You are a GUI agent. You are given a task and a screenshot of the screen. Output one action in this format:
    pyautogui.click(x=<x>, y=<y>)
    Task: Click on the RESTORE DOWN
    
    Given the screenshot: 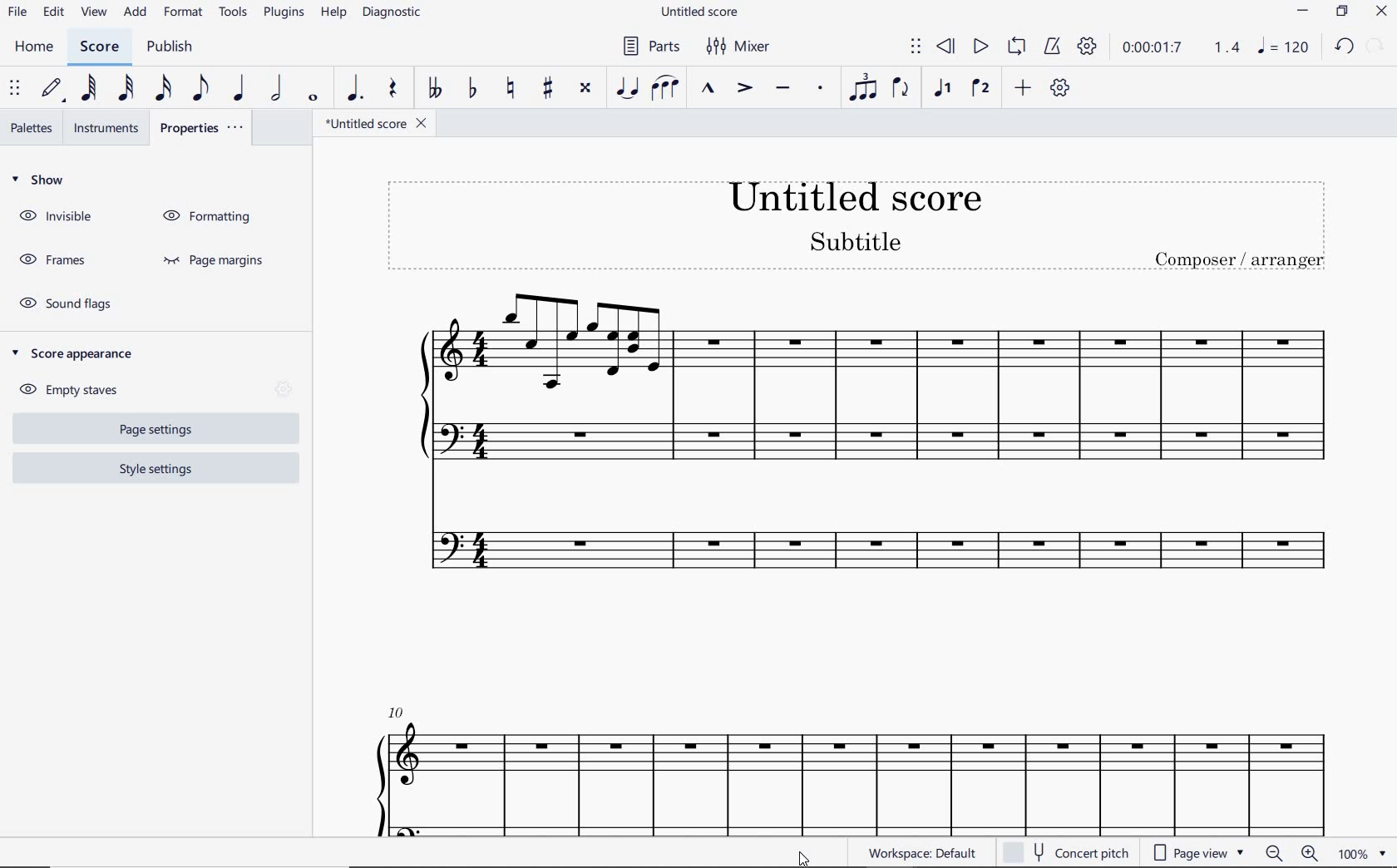 What is the action you would take?
    pyautogui.click(x=1340, y=12)
    